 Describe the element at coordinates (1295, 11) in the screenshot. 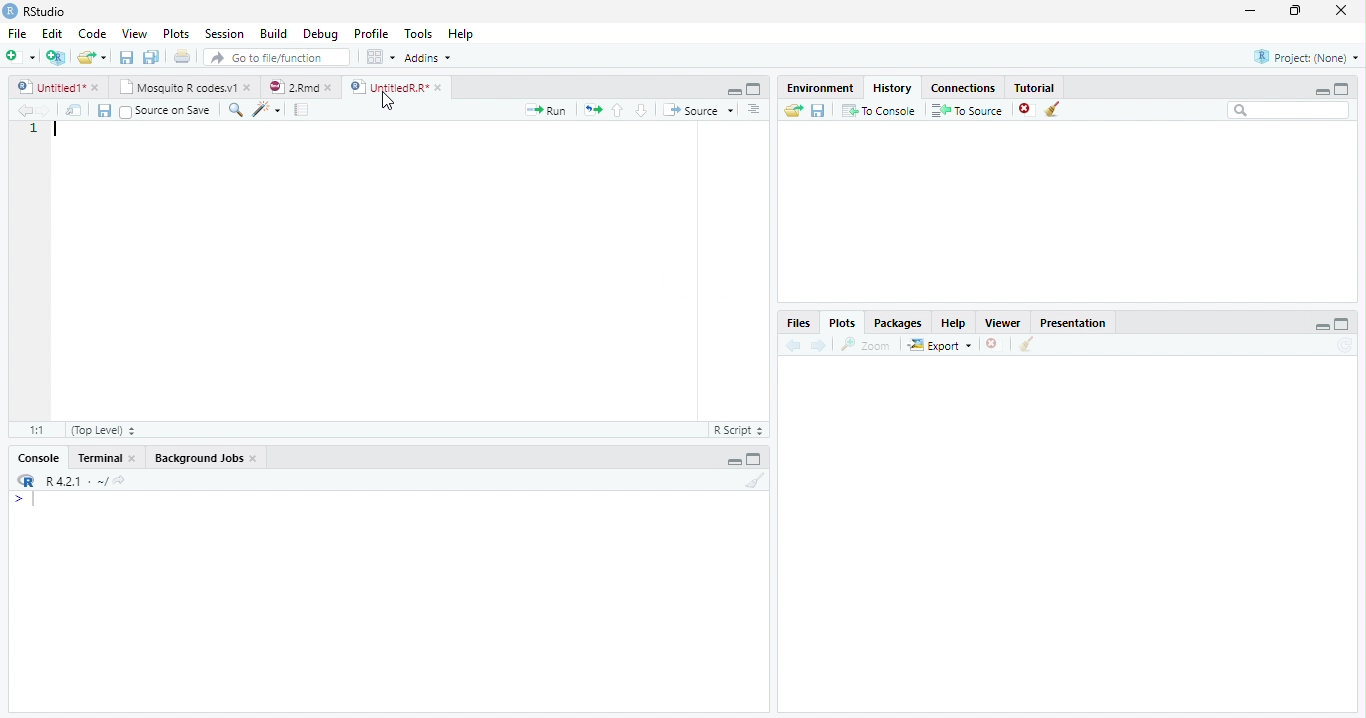

I see `restore` at that location.